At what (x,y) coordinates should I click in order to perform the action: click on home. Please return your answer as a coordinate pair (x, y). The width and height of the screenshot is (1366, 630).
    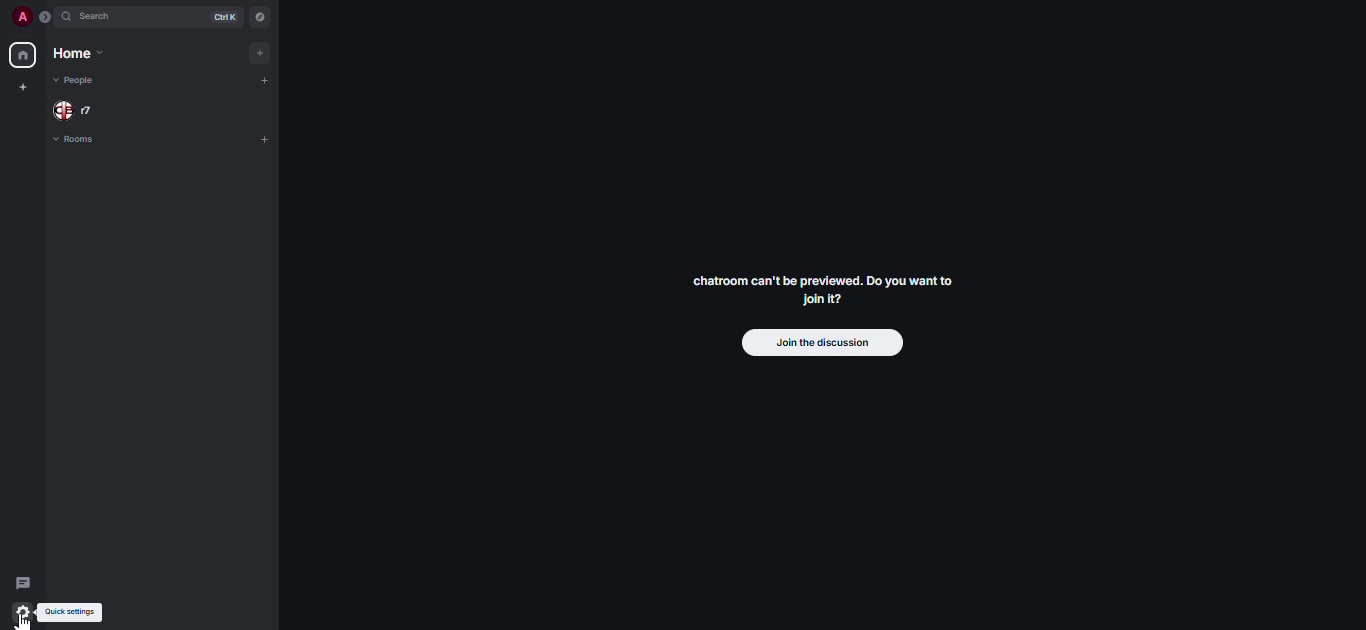
    Looking at the image, I should click on (86, 54).